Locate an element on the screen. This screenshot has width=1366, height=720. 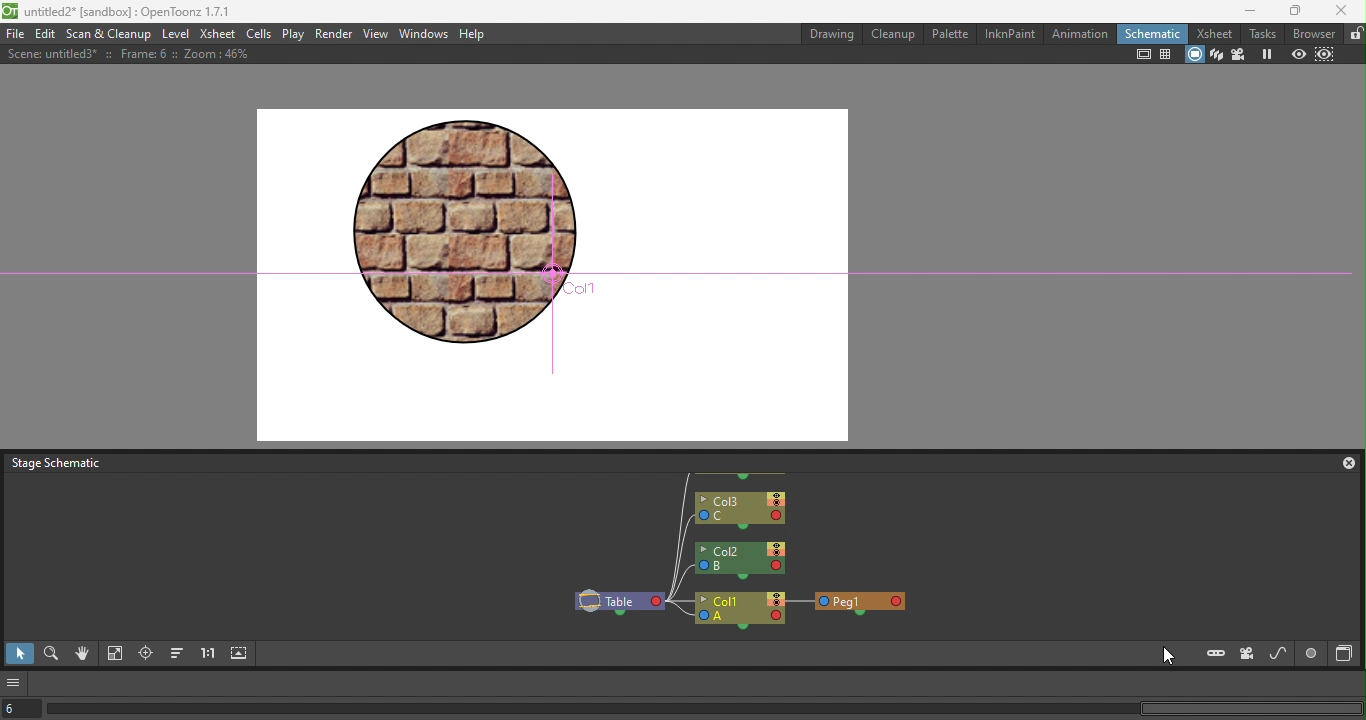
Help is located at coordinates (473, 34).